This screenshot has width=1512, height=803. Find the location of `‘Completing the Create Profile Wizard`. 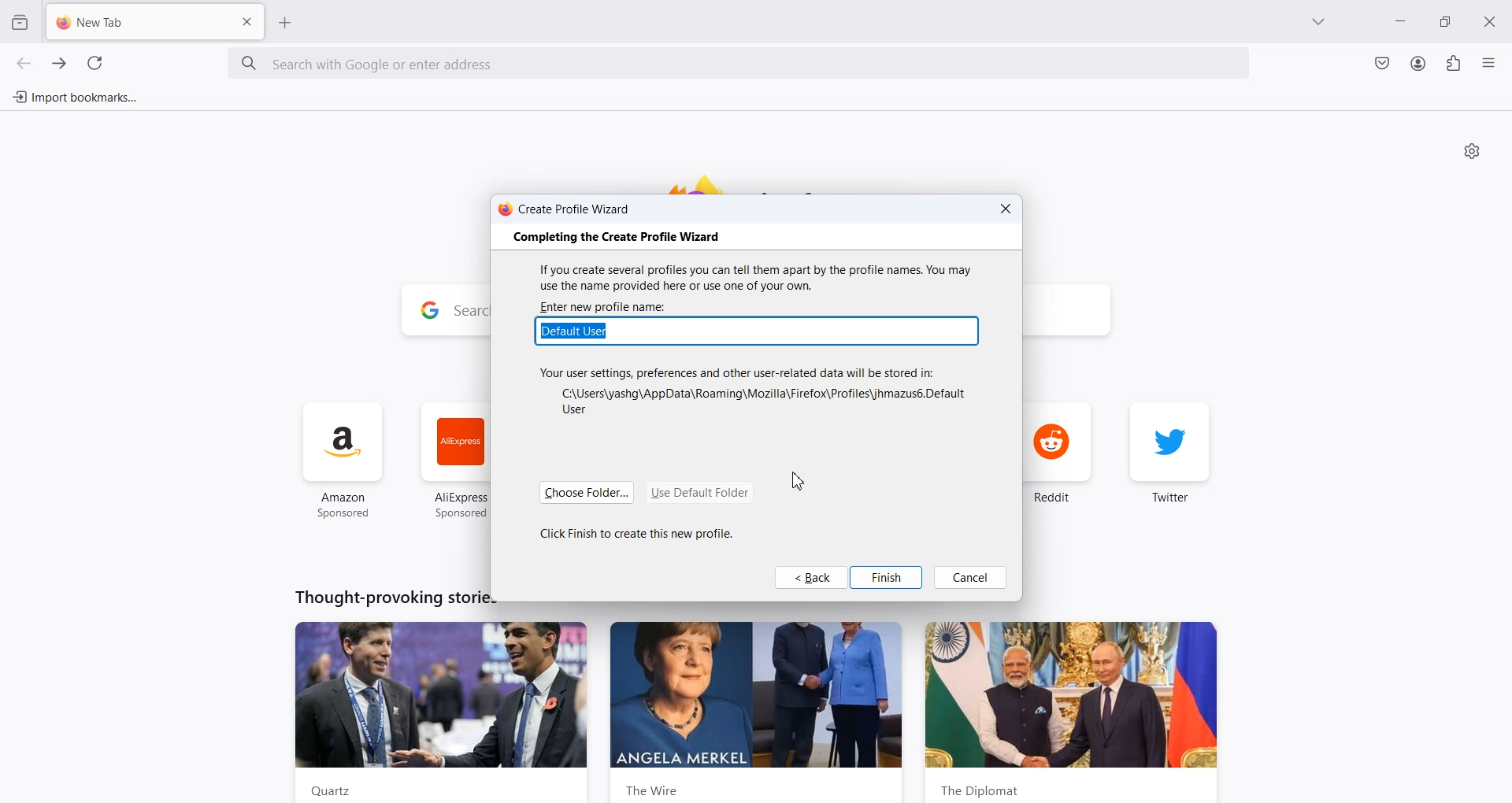

‘Completing the Create Profile Wizard is located at coordinates (609, 237).